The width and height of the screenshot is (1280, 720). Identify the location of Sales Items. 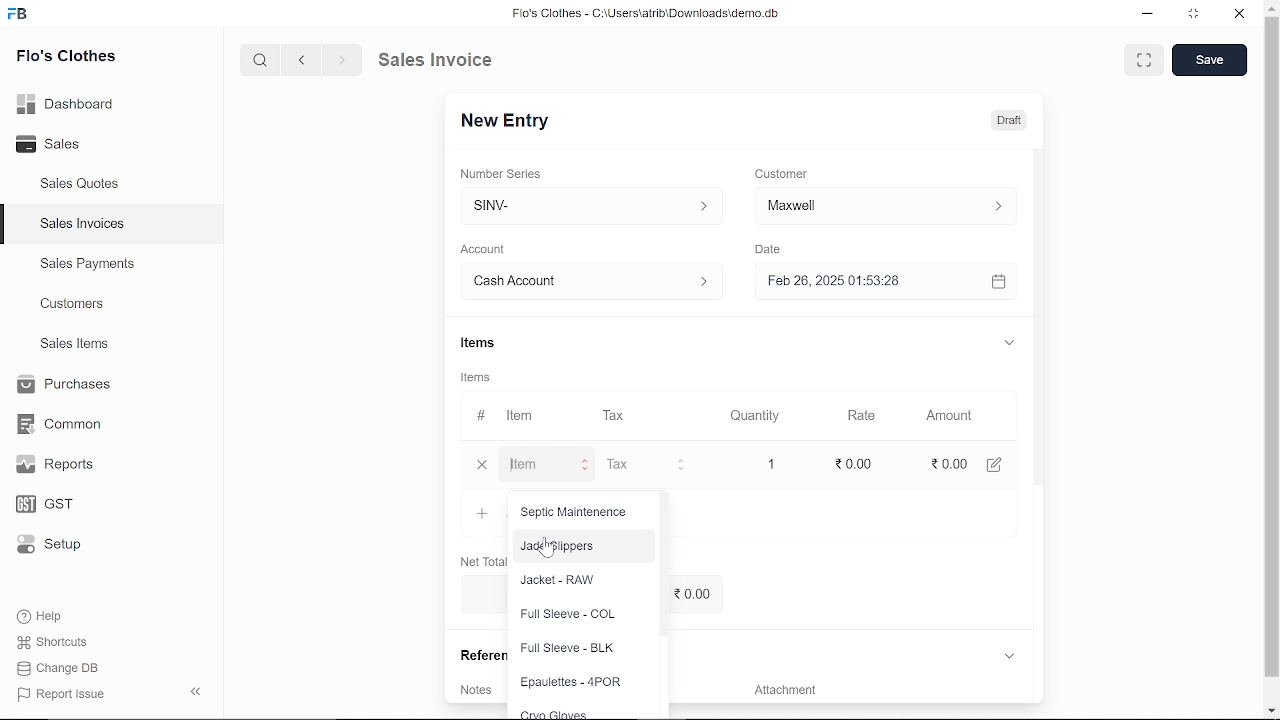
(74, 346).